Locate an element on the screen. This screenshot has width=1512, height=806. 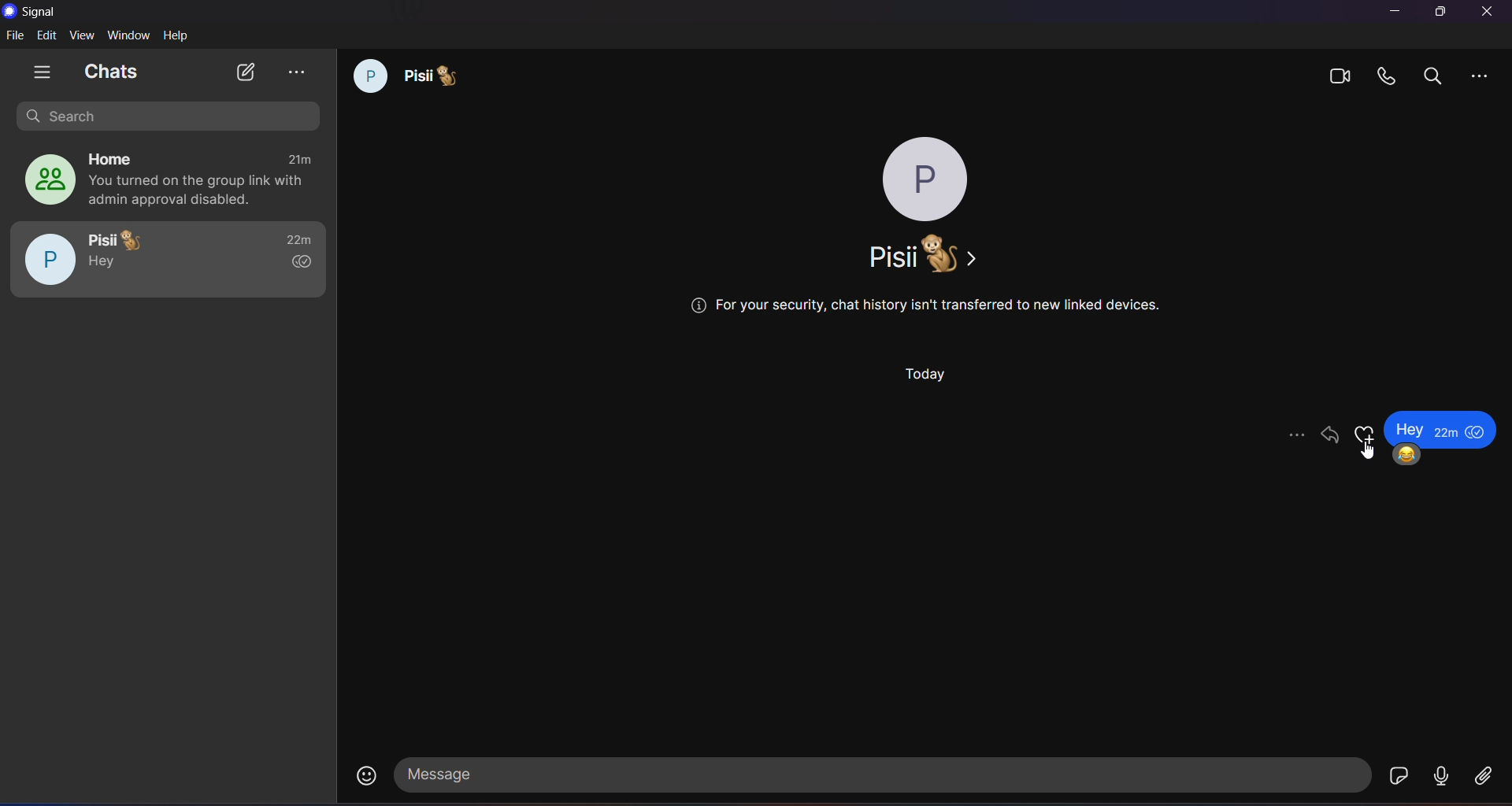
minimize is located at coordinates (1397, 12).